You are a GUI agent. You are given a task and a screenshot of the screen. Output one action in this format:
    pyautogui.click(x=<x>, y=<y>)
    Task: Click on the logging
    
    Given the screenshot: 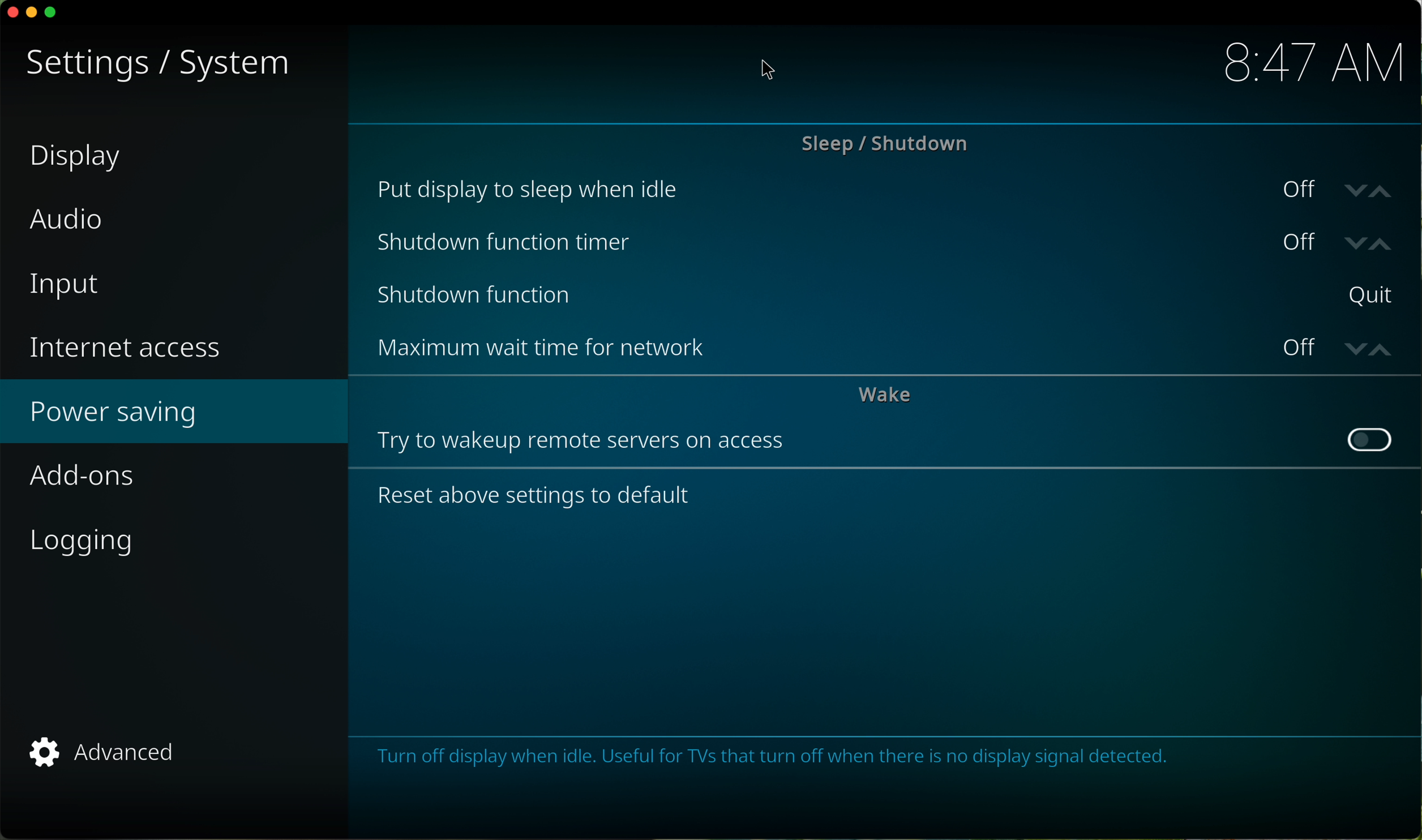 What is the action you would take?
    pyautogui.click(x=92, y=541)
    